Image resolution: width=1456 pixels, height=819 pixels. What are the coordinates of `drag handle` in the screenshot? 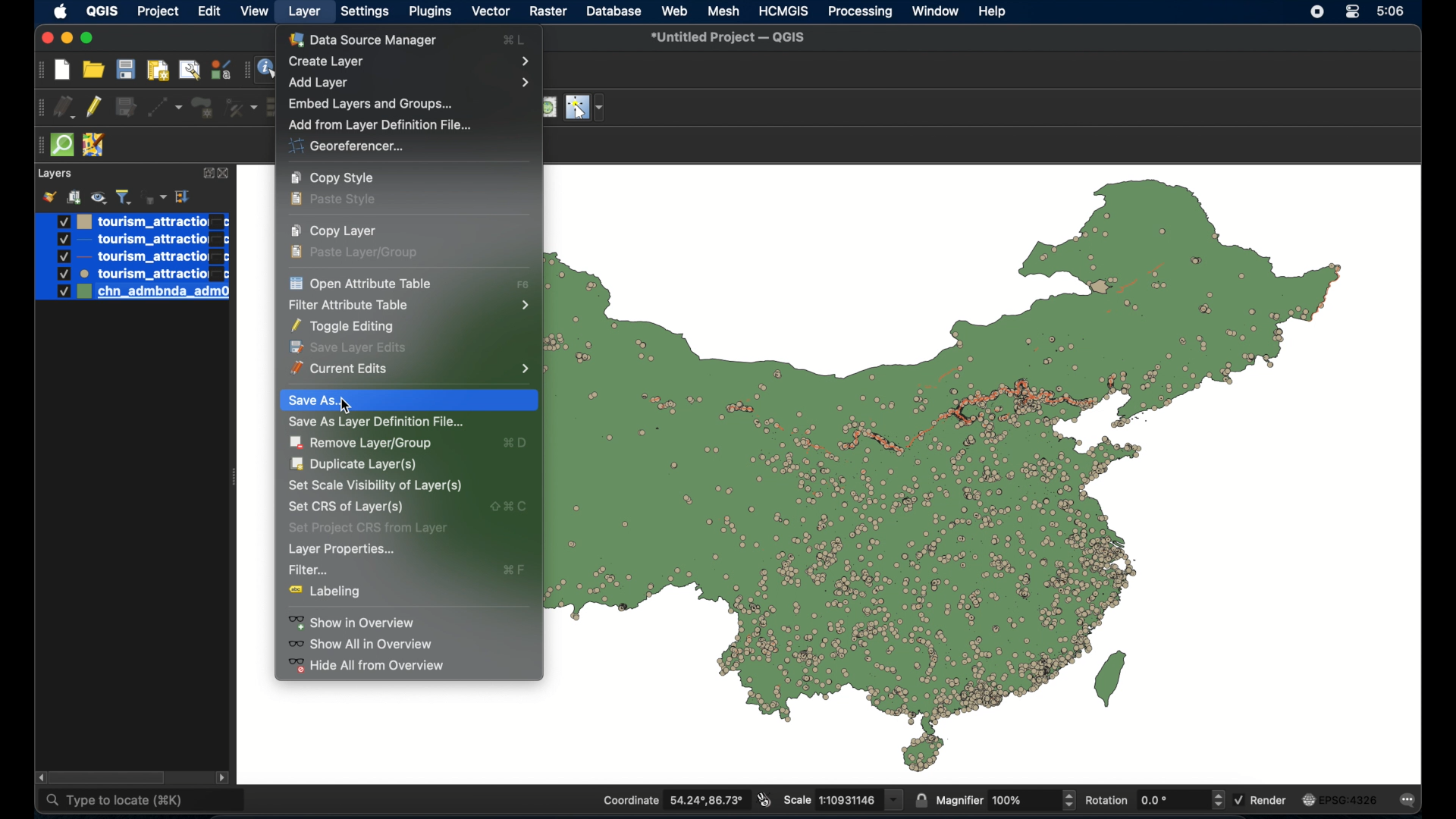 It's located at (38, 108).